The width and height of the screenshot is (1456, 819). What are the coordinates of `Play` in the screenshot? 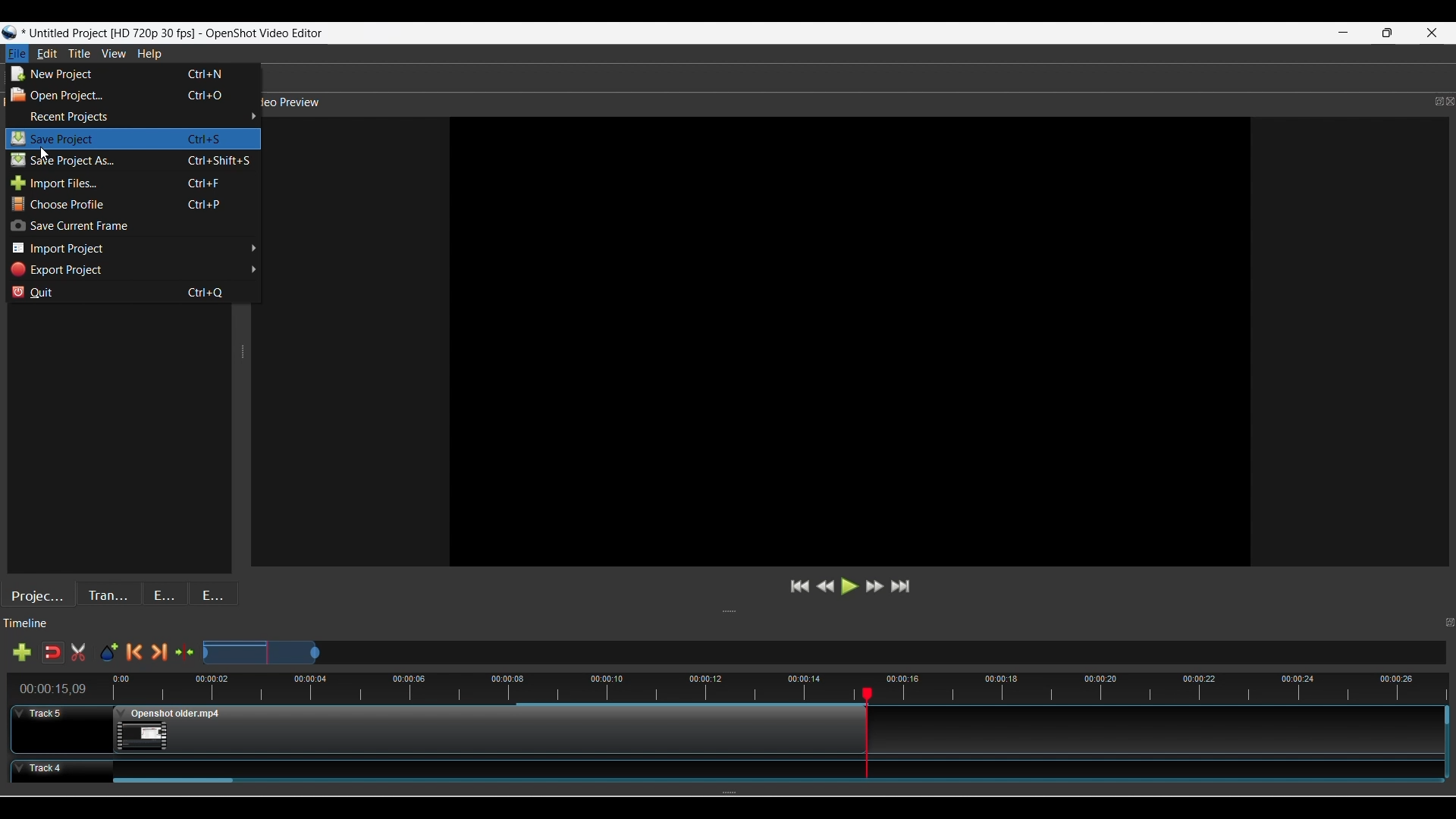 It's located at (851, 586).